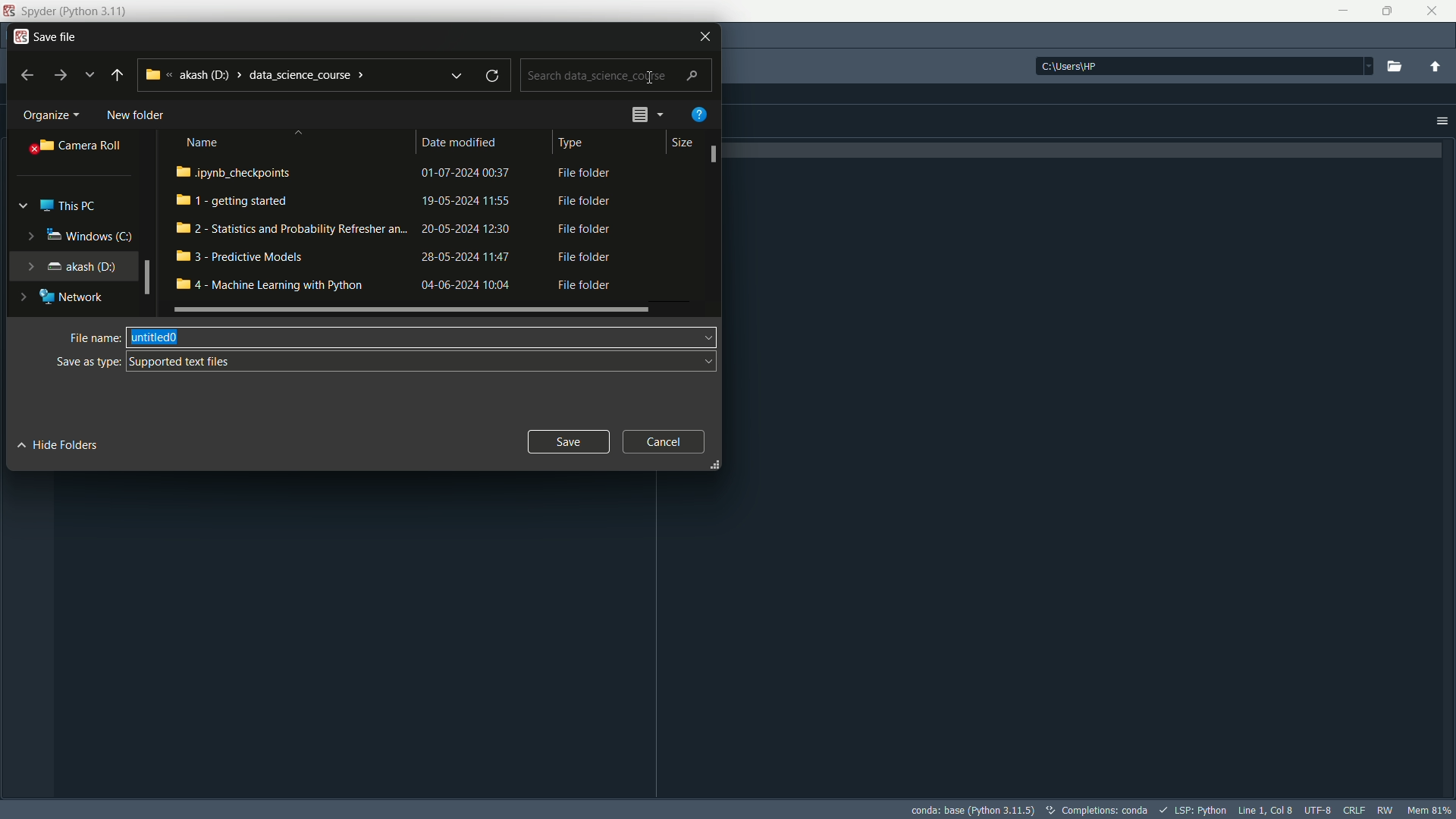 This screenshot has width=1456, height=819. I want to click on name, so click(203, 142).